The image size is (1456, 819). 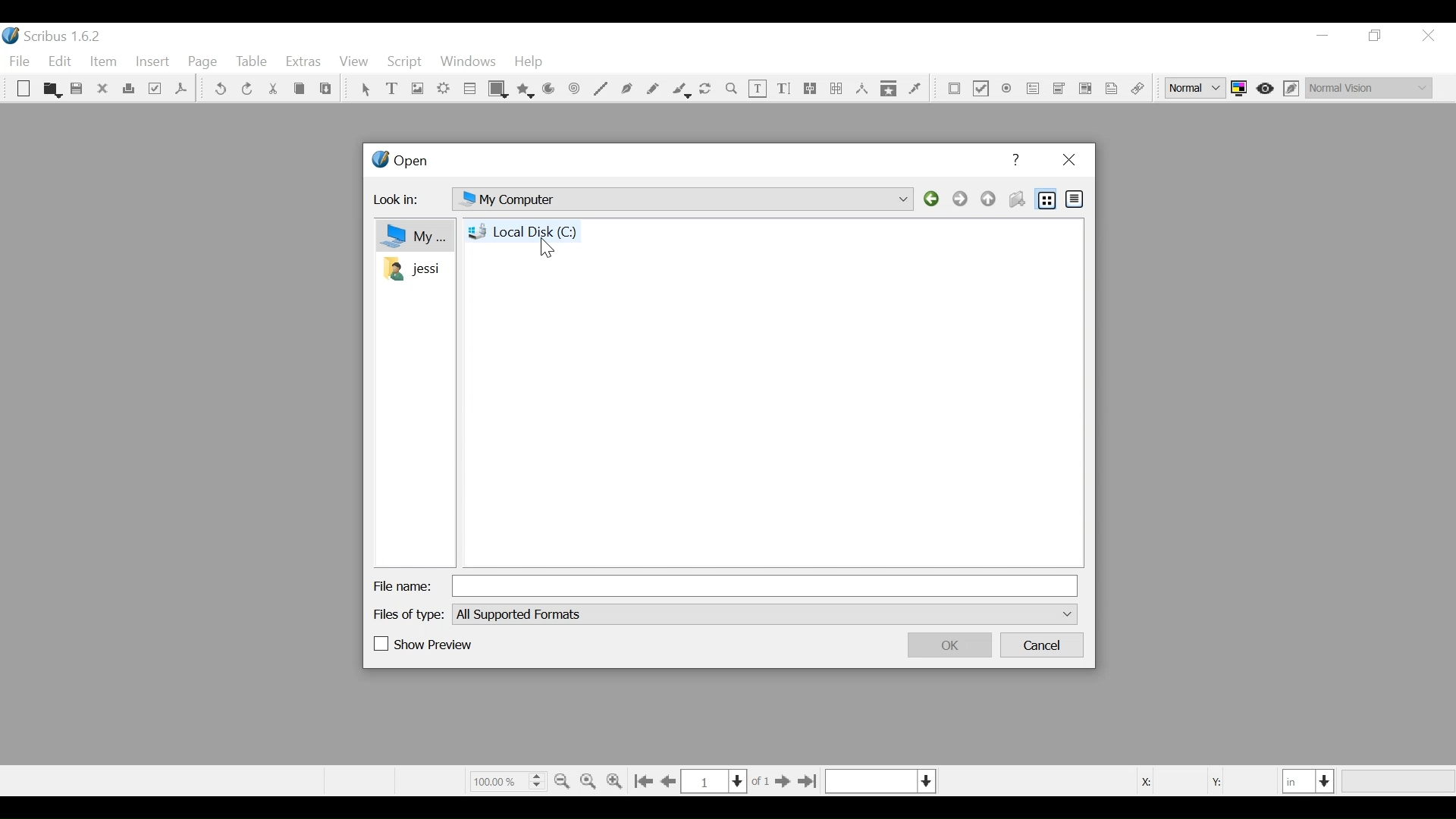 I want to click on Extras, so click(x=303, y=63).